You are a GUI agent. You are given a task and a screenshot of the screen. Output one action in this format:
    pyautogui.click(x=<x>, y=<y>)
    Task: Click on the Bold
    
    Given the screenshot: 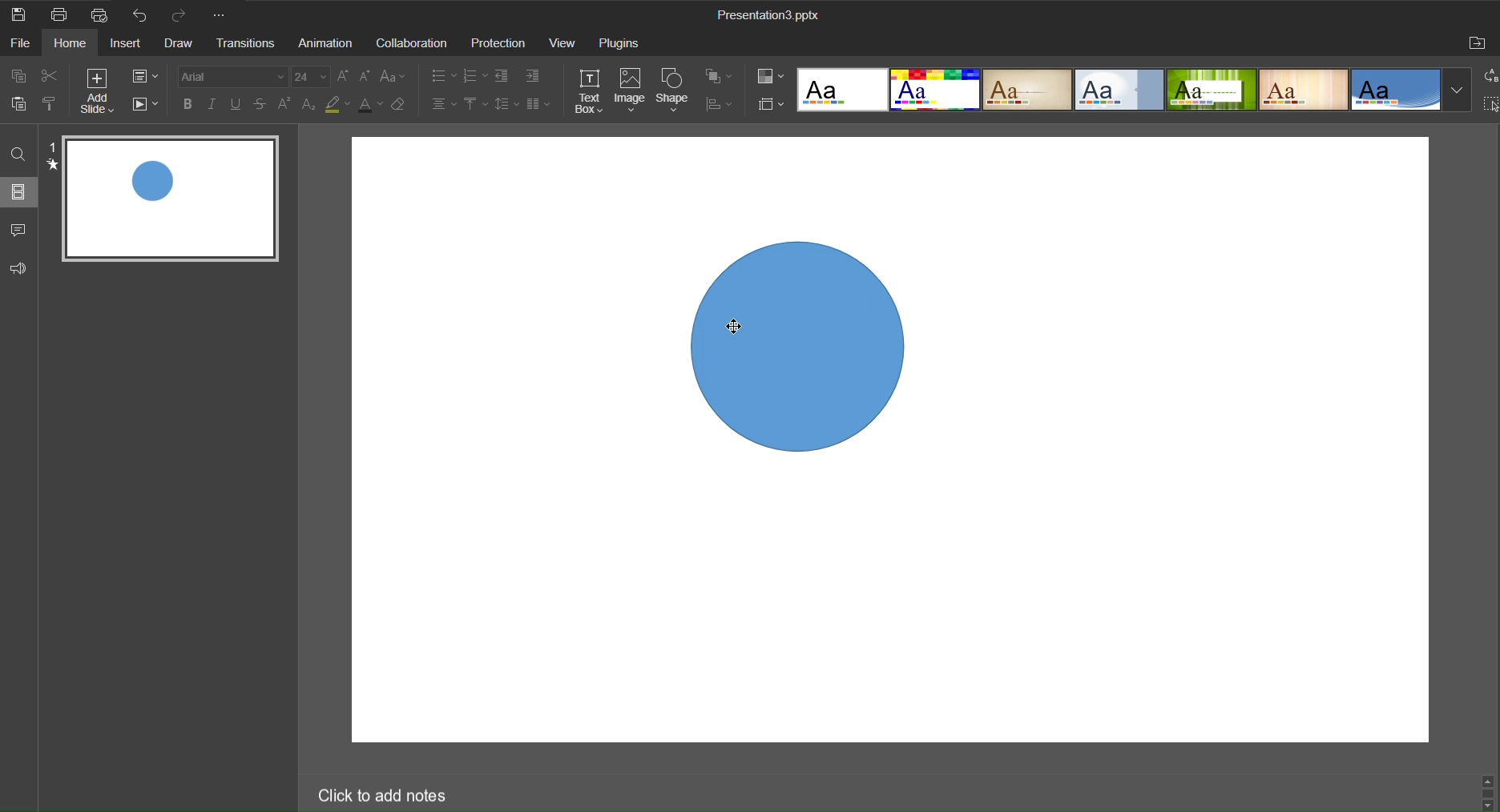 What is the action you would take?
    pyautogui.click(x=191, y=106)
    